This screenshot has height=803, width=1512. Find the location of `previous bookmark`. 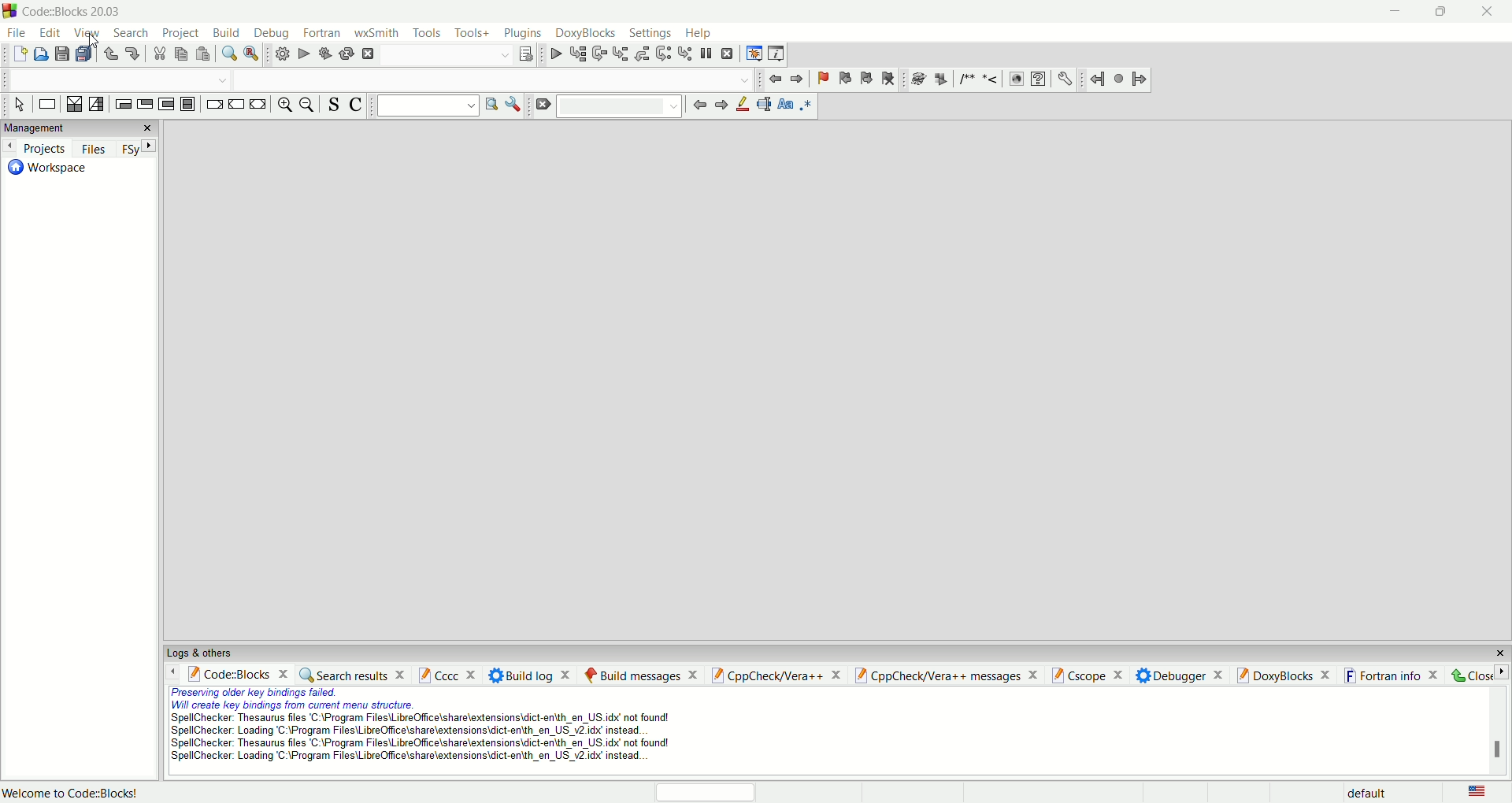

previous bookmark is located at coordinates (843, 77).